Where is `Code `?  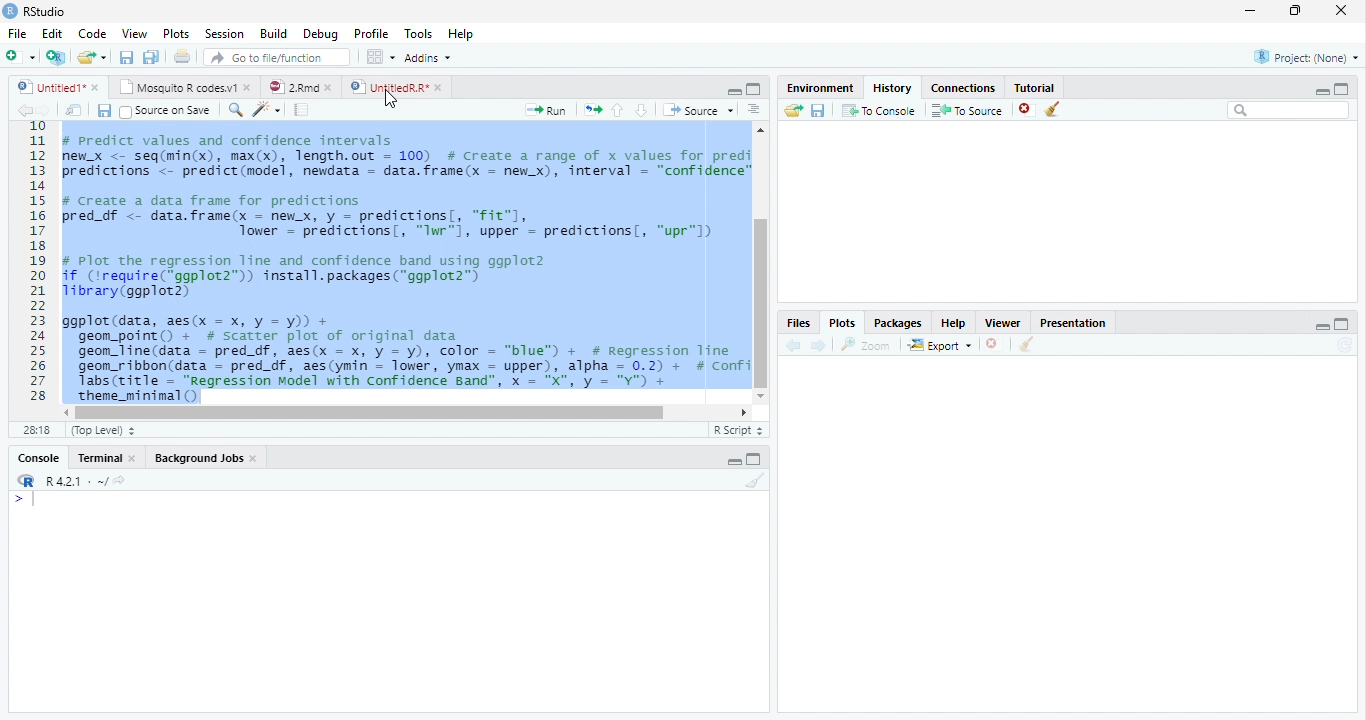
Code  is located at coordinates (268, 110).